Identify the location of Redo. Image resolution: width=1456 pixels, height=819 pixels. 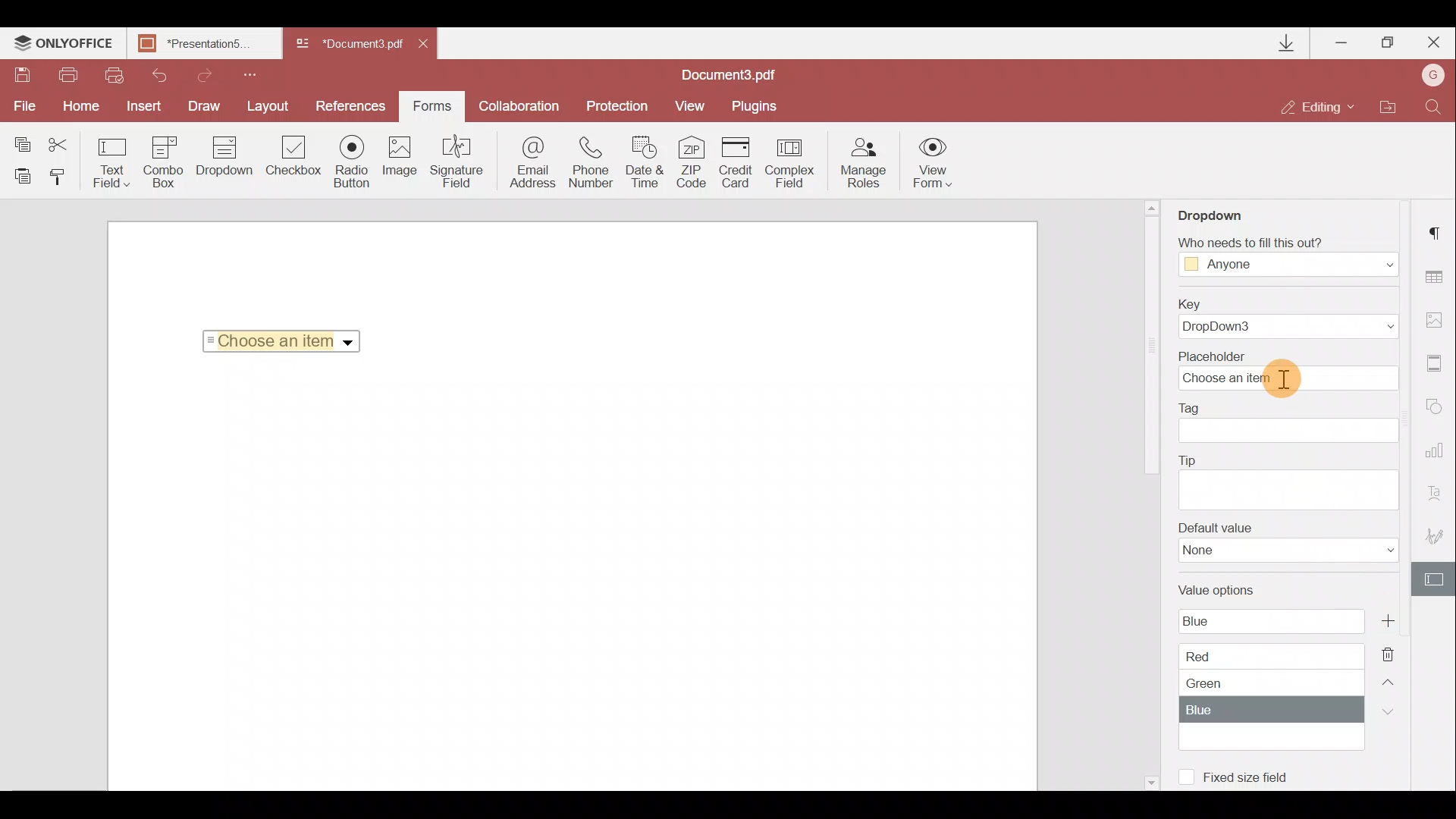
(206, 74).